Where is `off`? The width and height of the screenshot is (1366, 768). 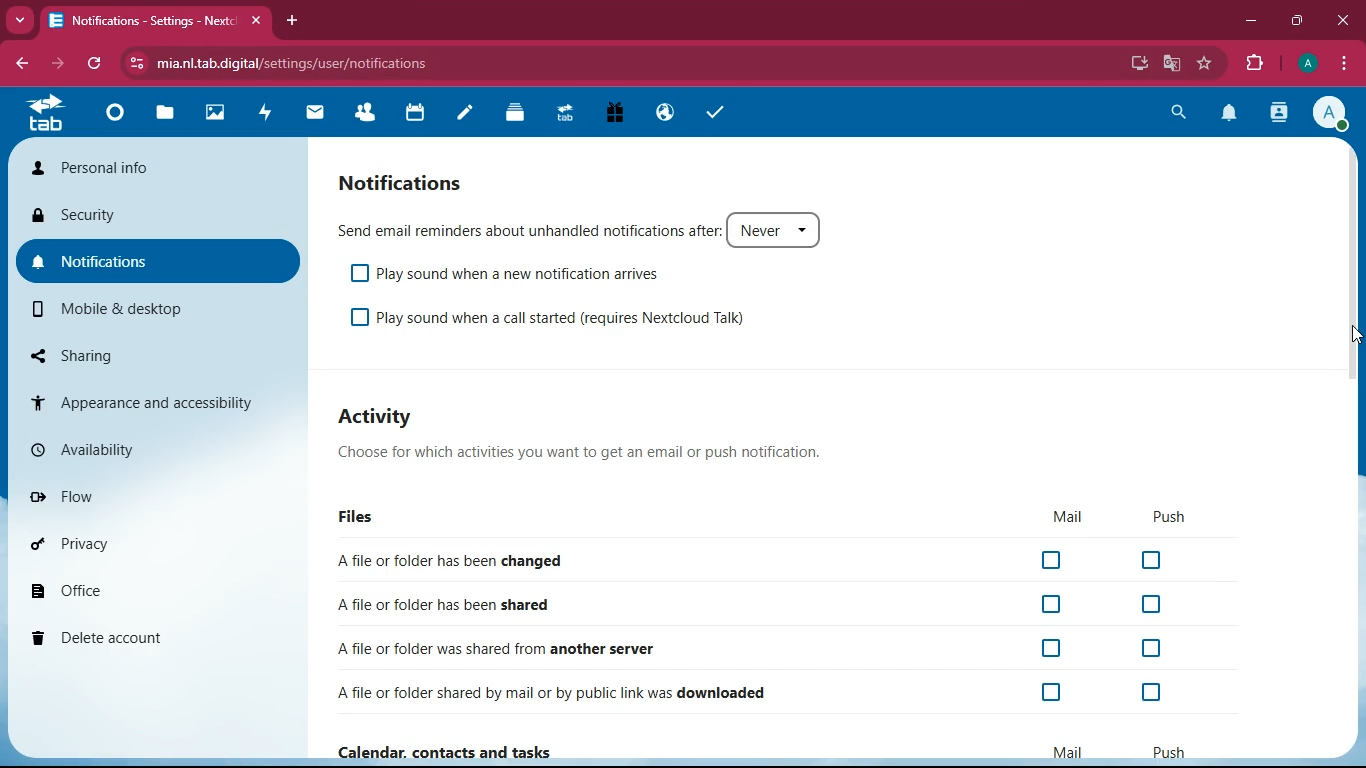 off is located at coordinates (1153, 693).